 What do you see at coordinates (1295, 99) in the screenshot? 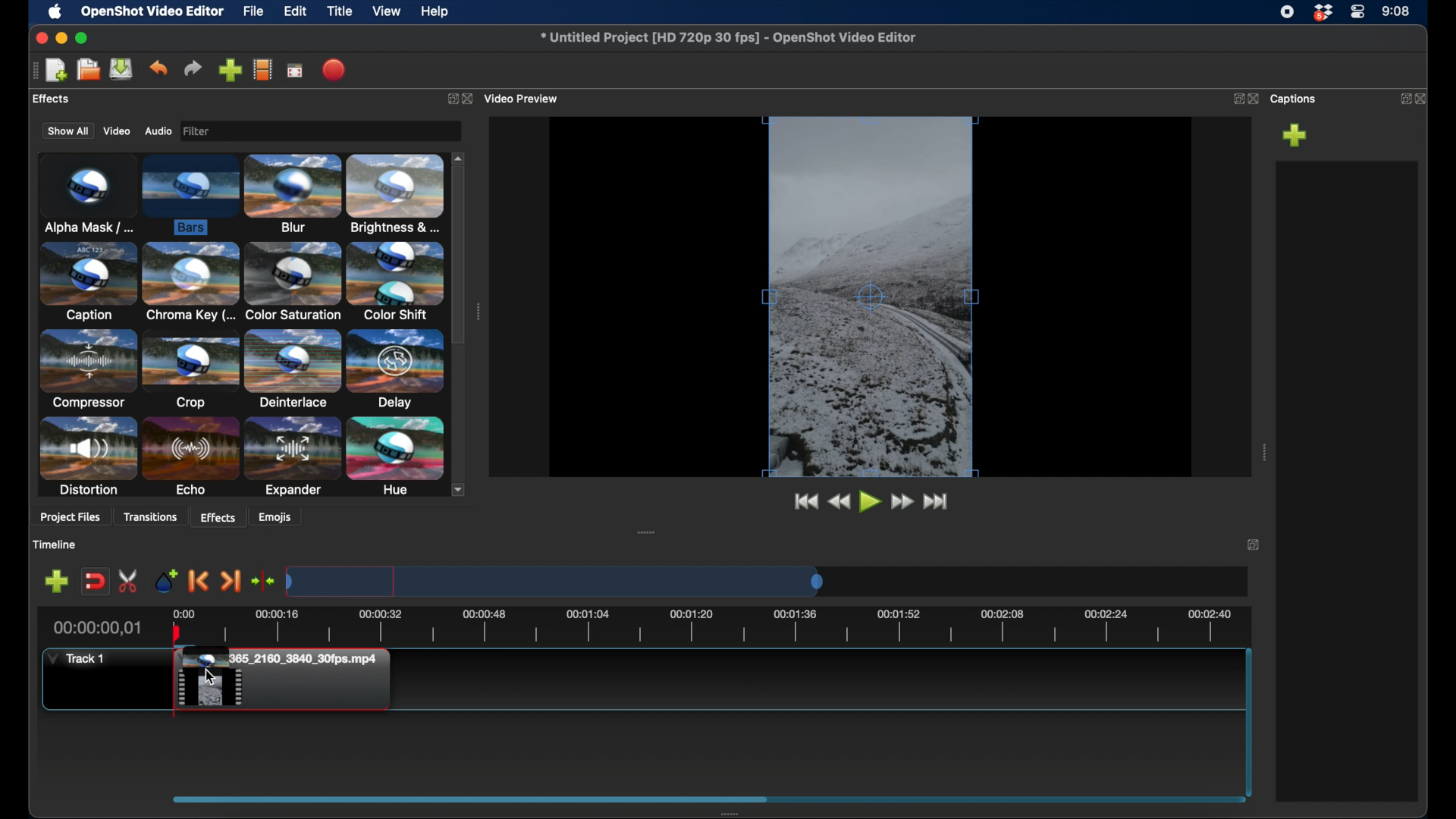
I see `captions` at bounding box center [1295, 99].